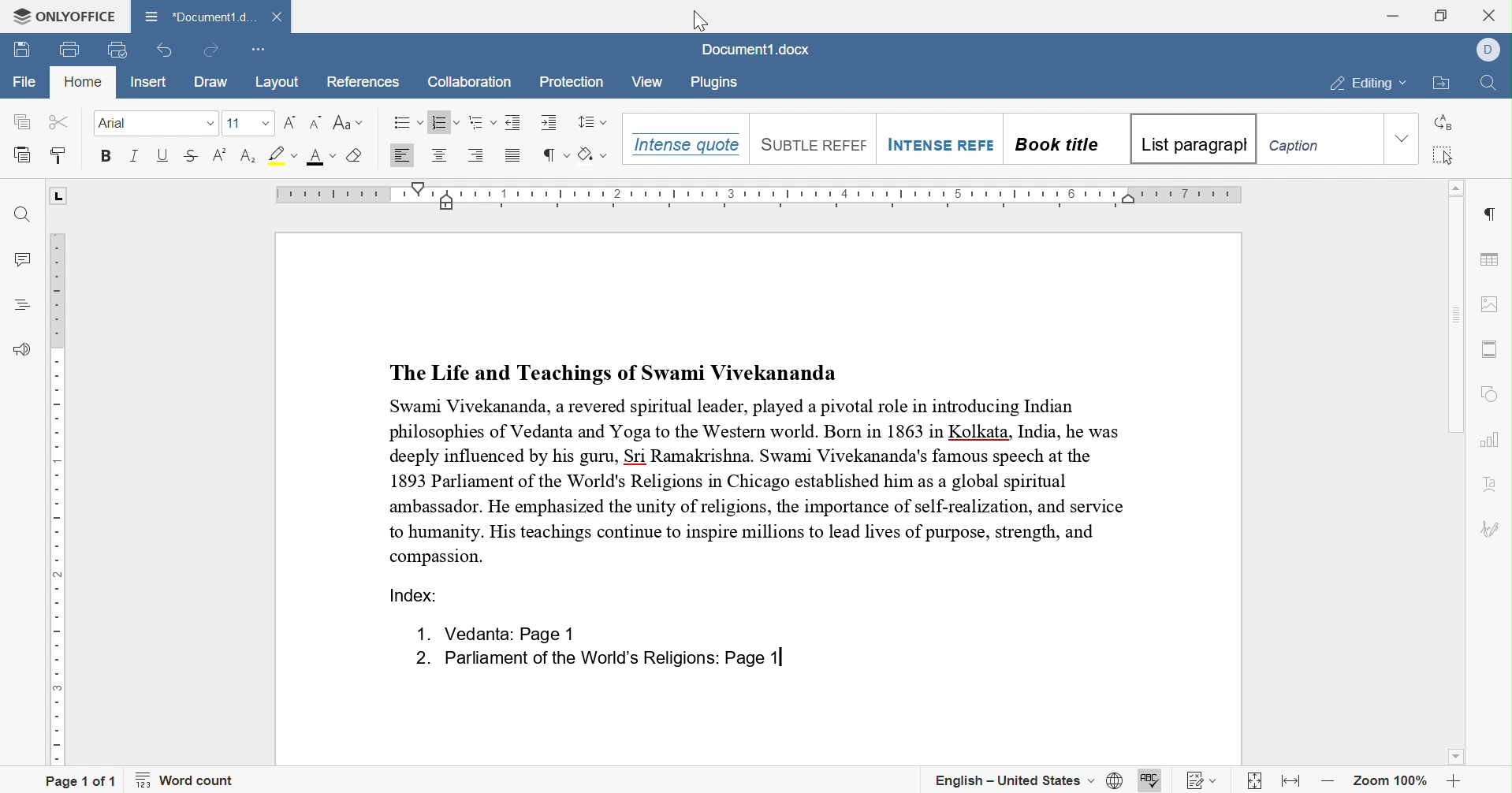 Image resolution: width=1512 pixels, height=793 pixels. I want to click on clear style, so click(356, 155).